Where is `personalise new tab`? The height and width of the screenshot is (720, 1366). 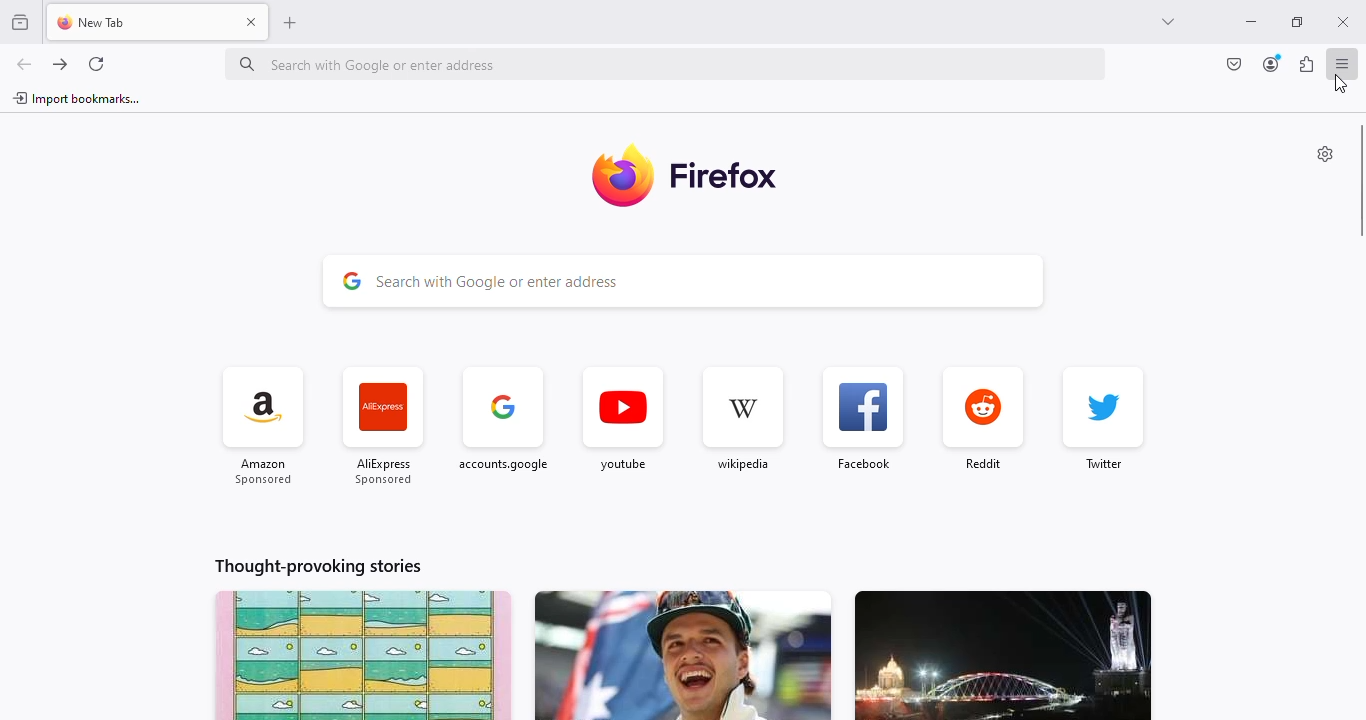 personalise new tab is located at coordinates (1325, 154).